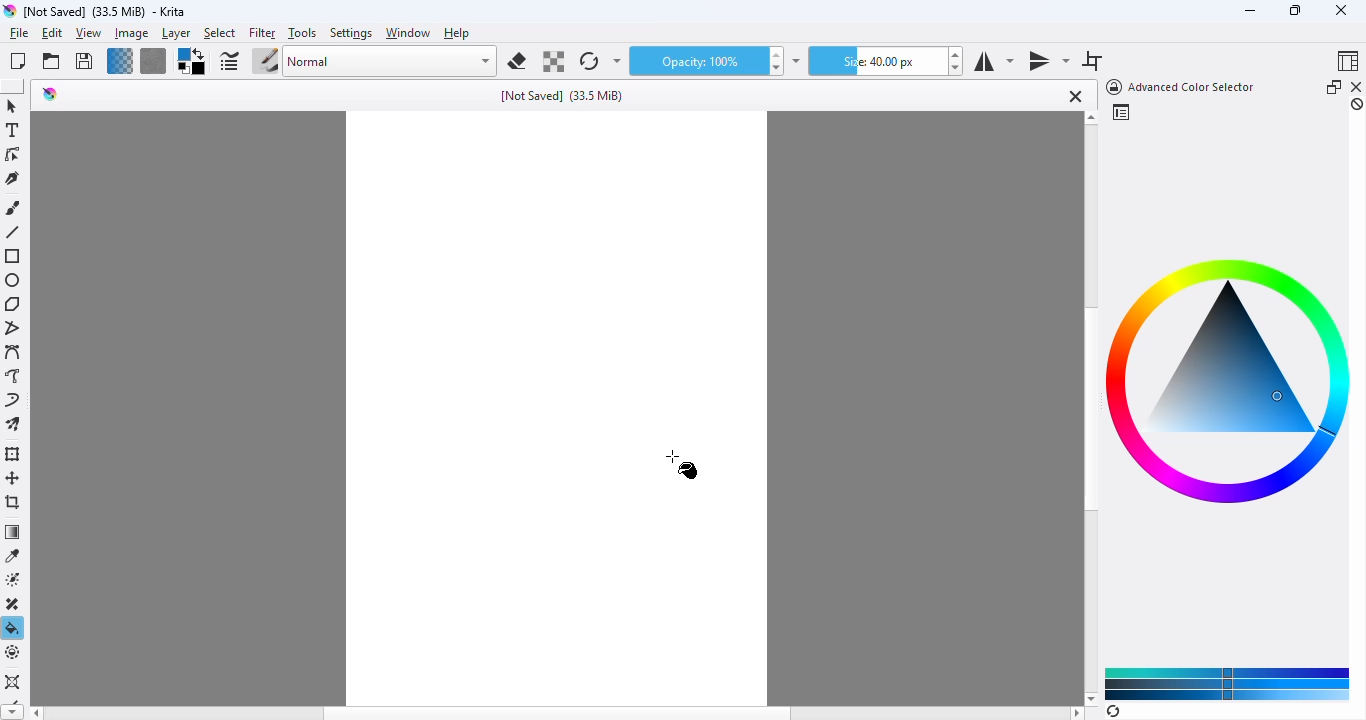 The width and height of the screenshot is (1366, 720). What do you see at coordinates (220, 34) in the screenshot?
I see `select` at bounding box center [220, 34].